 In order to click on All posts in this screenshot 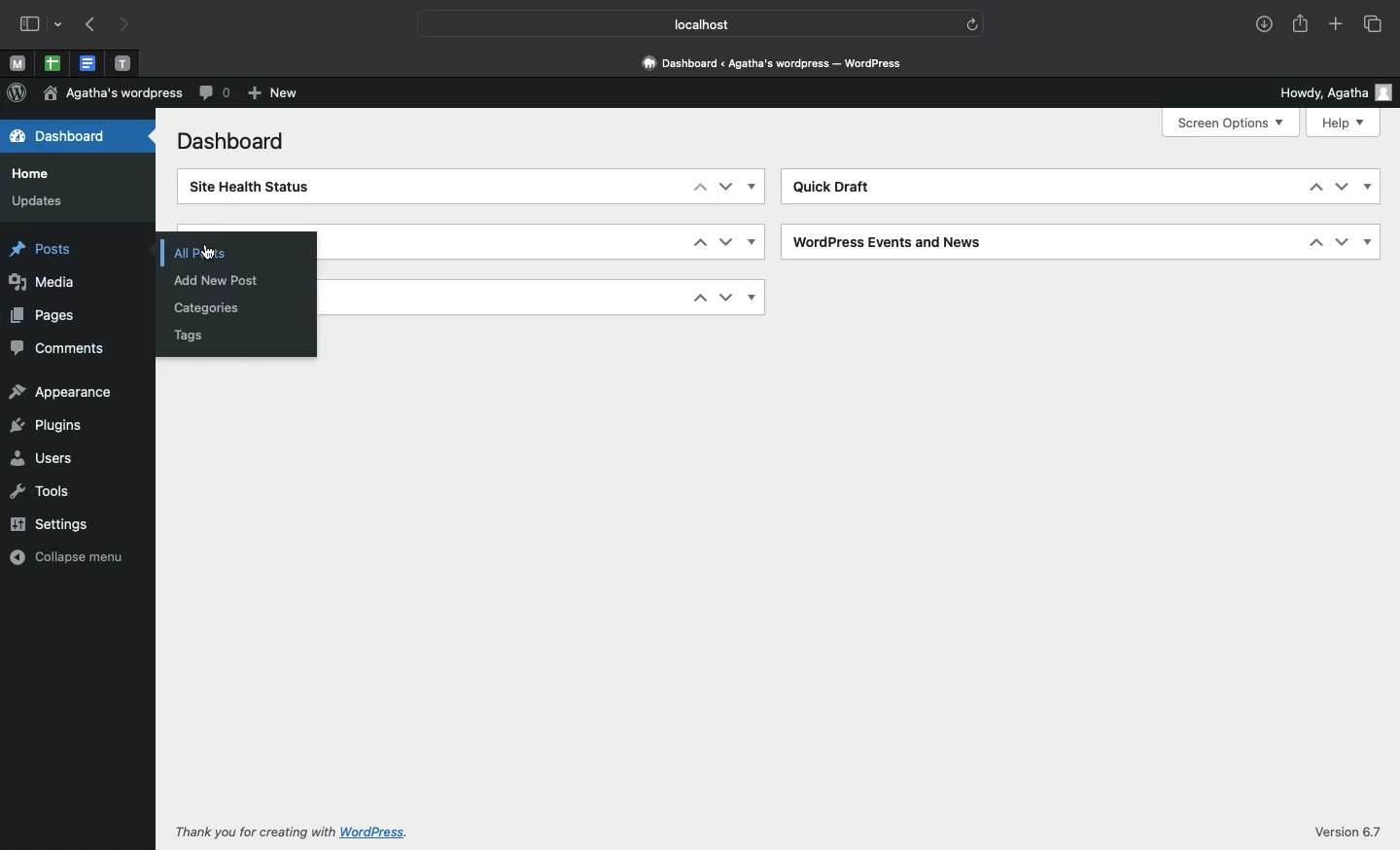, I will do `click(198, 255)`.